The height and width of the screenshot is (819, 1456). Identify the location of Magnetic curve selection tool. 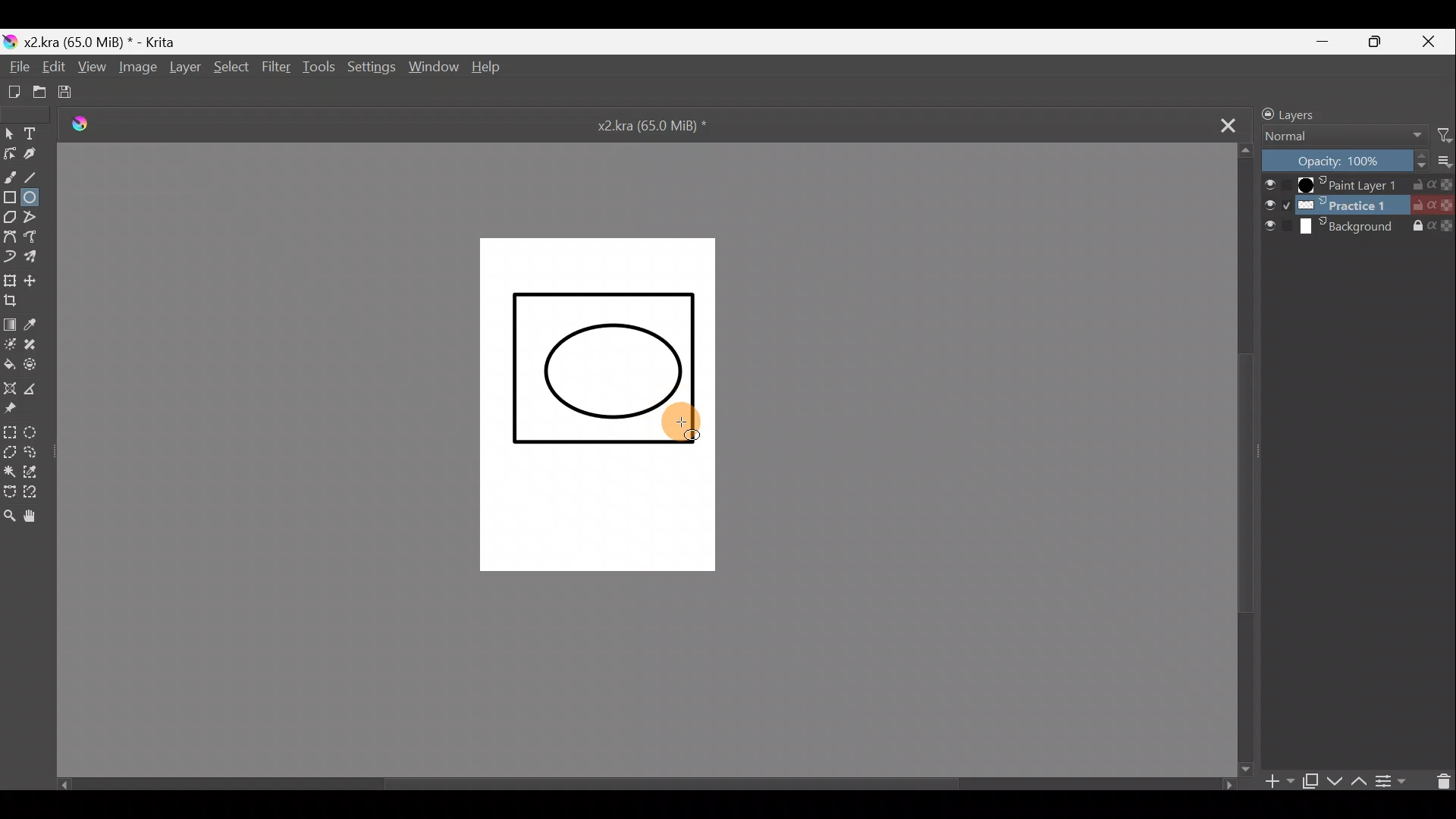
(37, 493).